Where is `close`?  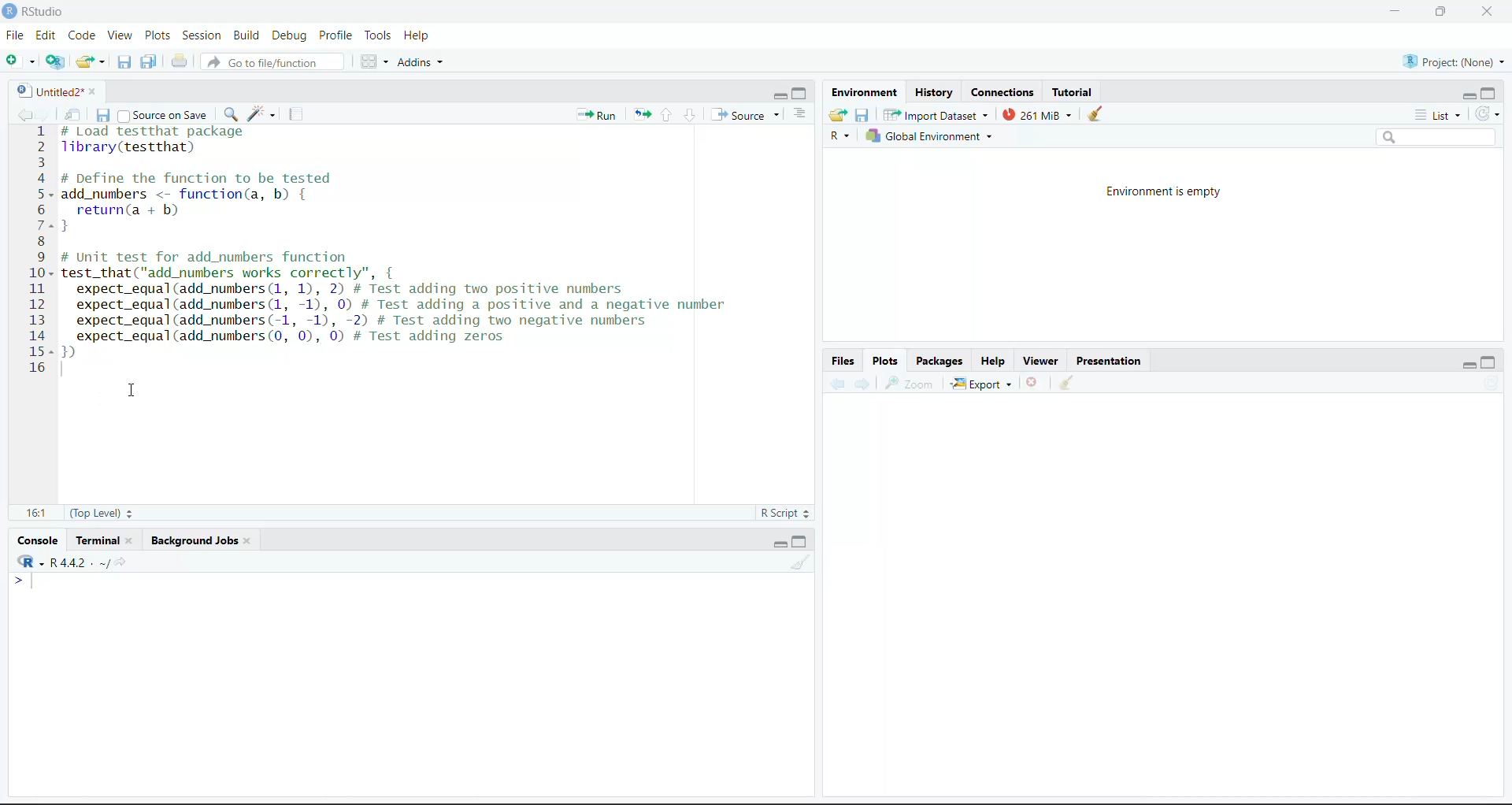 close is located at coordinates (95, 91).